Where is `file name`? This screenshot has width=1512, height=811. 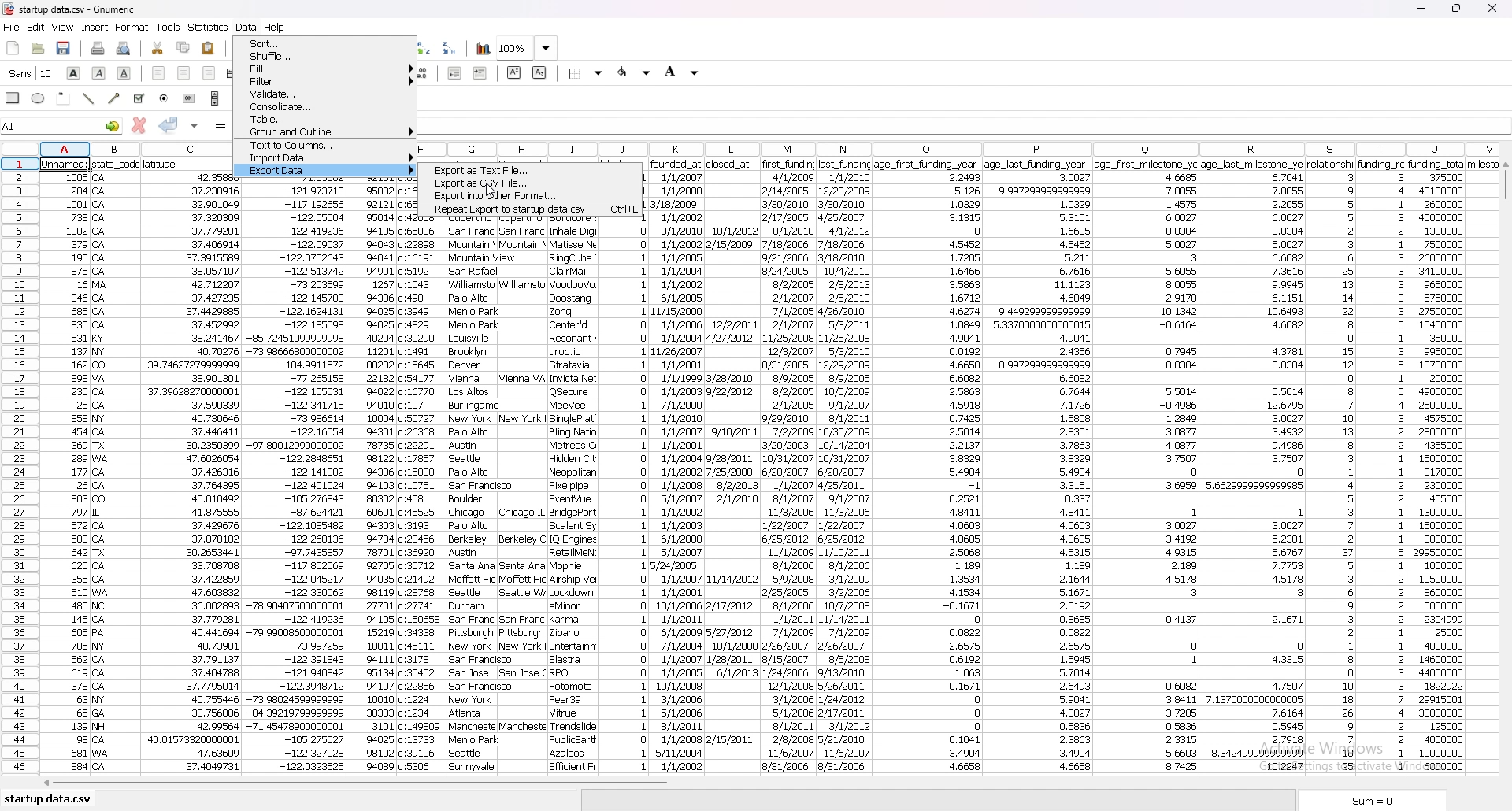 file name is located at coordinates (88, 9).